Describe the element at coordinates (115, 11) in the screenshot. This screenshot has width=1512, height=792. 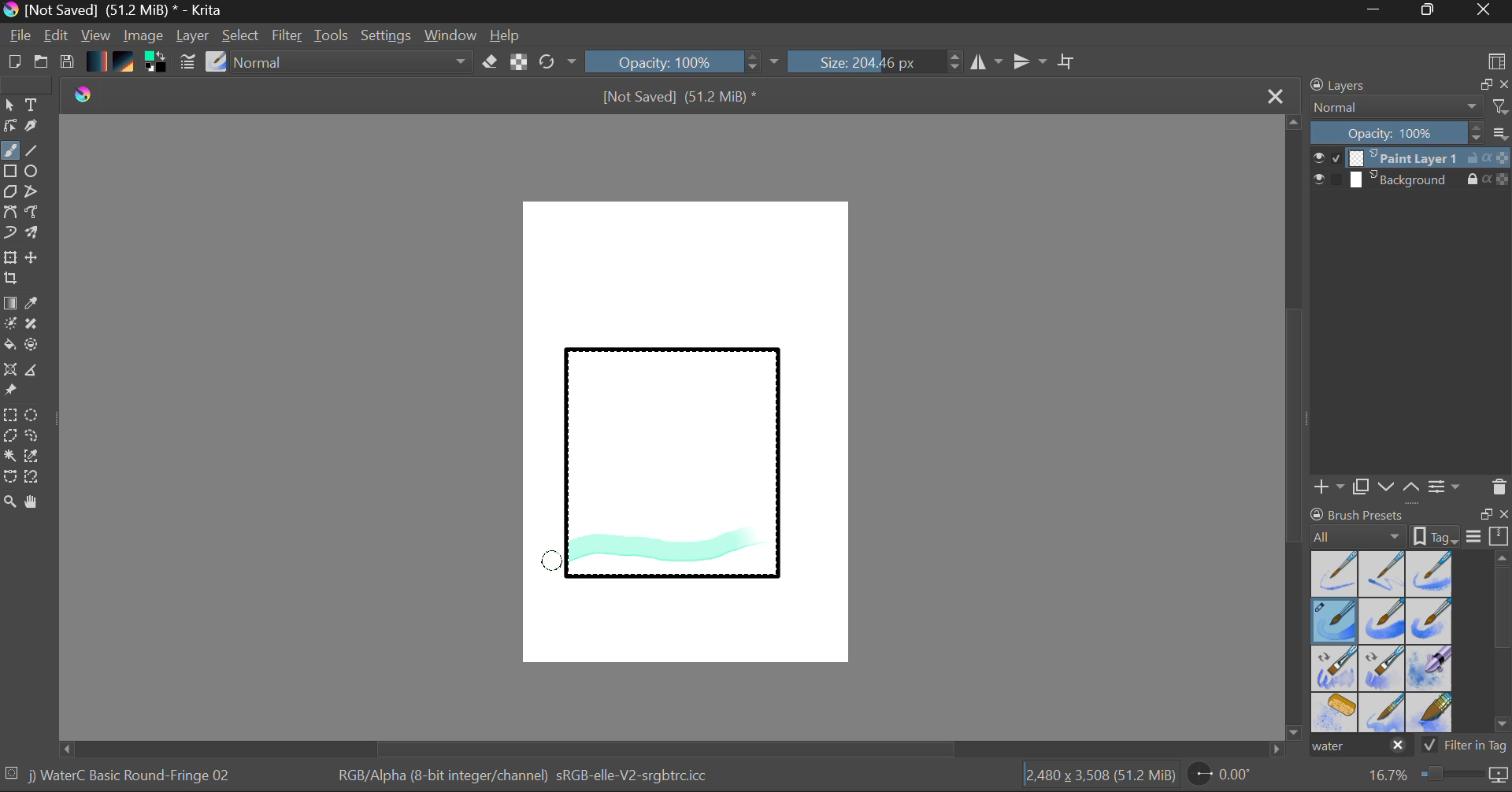
I see `Window Title` at that location.